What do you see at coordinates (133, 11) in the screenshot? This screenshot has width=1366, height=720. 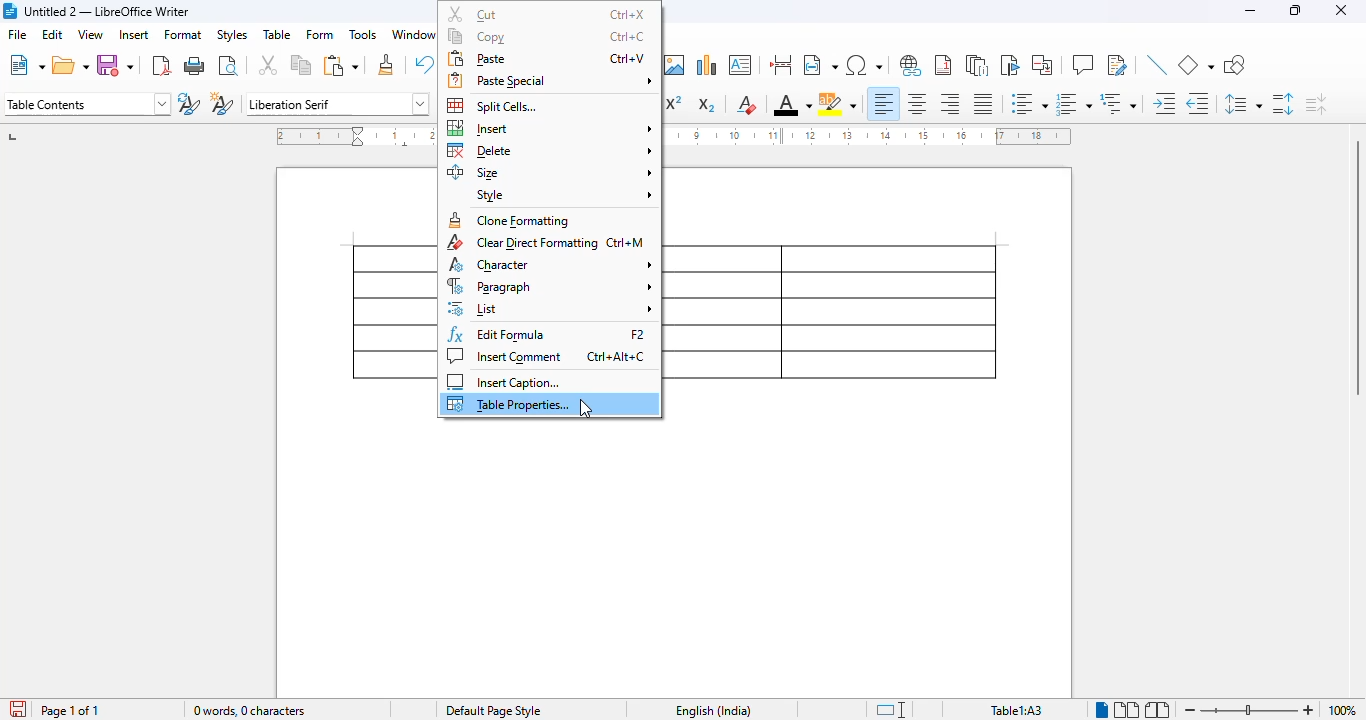 I see `Untitled 2 — LibreOffice Writer` at bounding box center [133, 11].